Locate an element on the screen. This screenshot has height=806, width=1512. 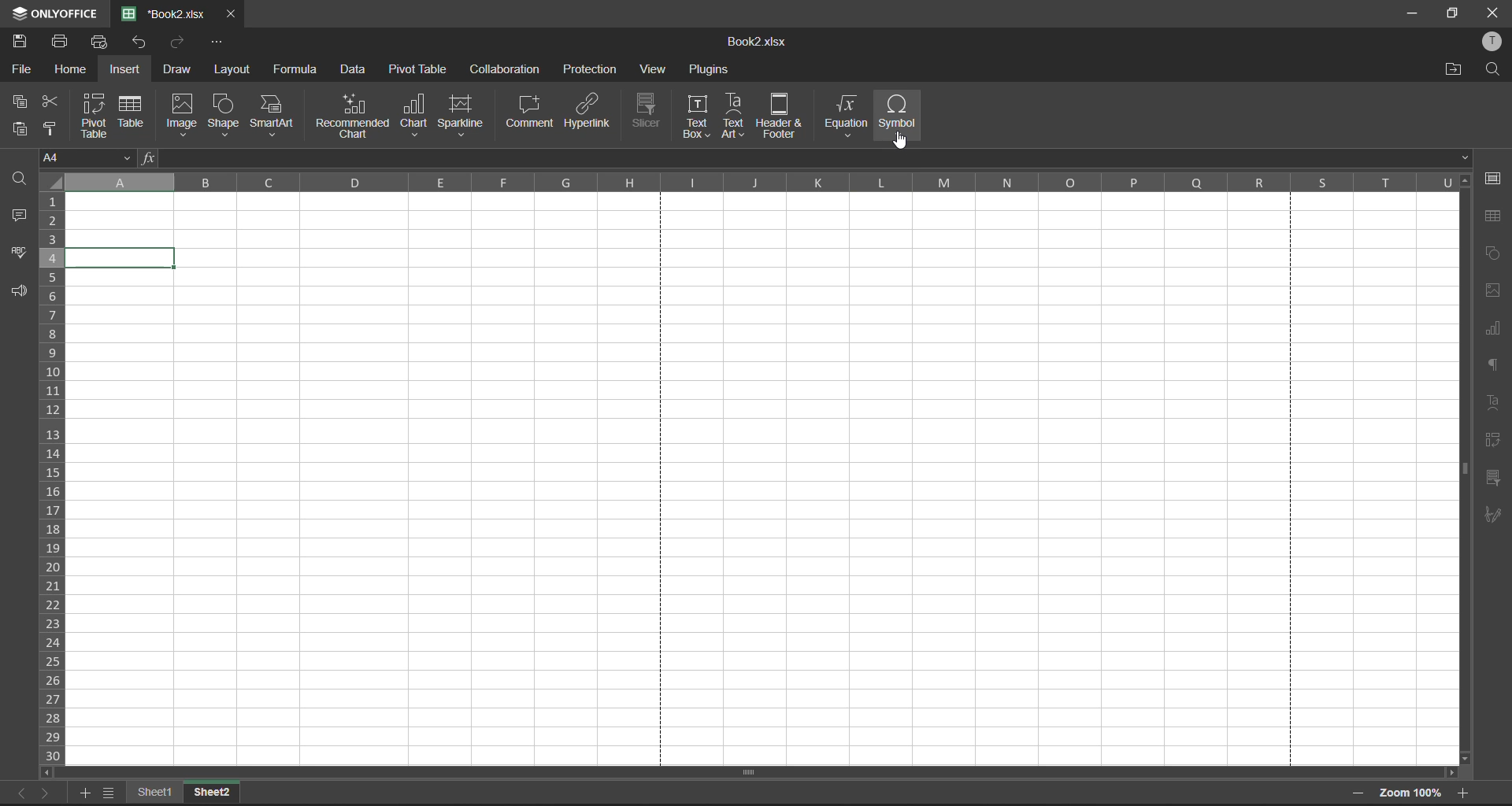
find is located at coordinates (1492, 69).